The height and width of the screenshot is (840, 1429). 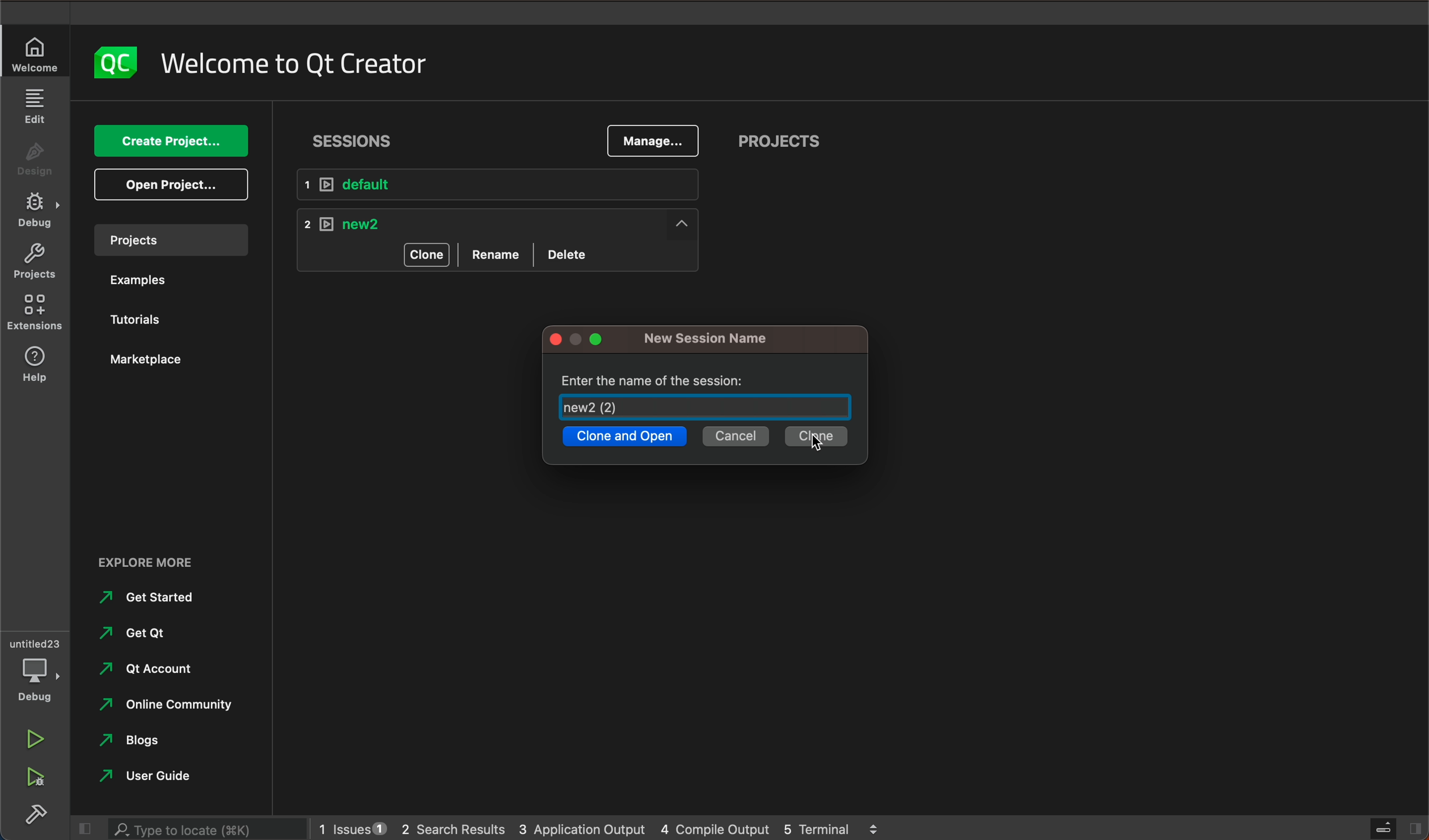 What do you see at coordinates (137, 740) in the screenshot?
I see `blogs` at bounding box center [137, 740].